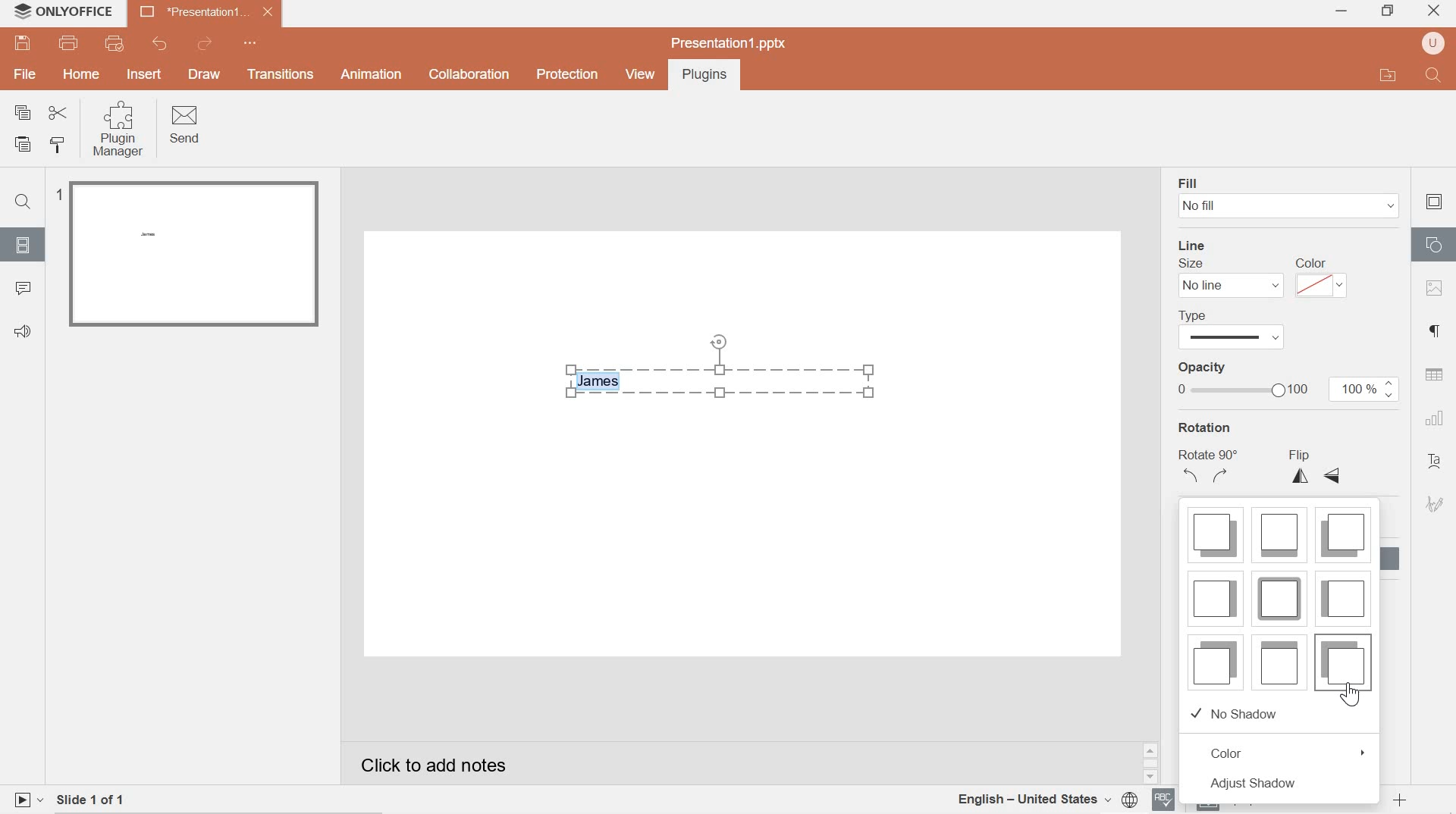 The image size is (1456, 814). Describe the element at coordinates (1433, 44) in the screenshot. I see `user` at that location.